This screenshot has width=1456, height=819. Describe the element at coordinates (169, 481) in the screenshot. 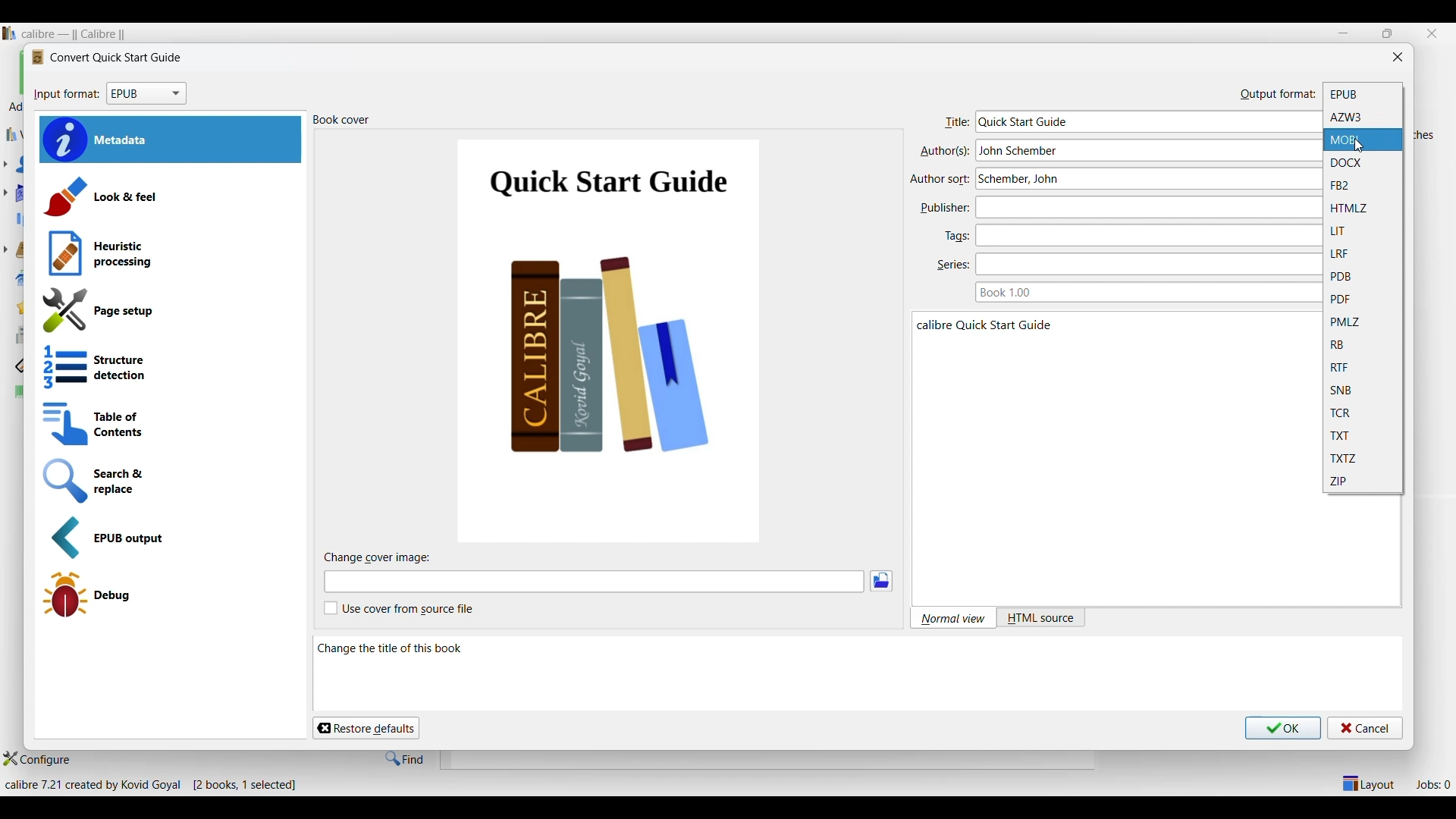

I see `Search and replace` at that location.